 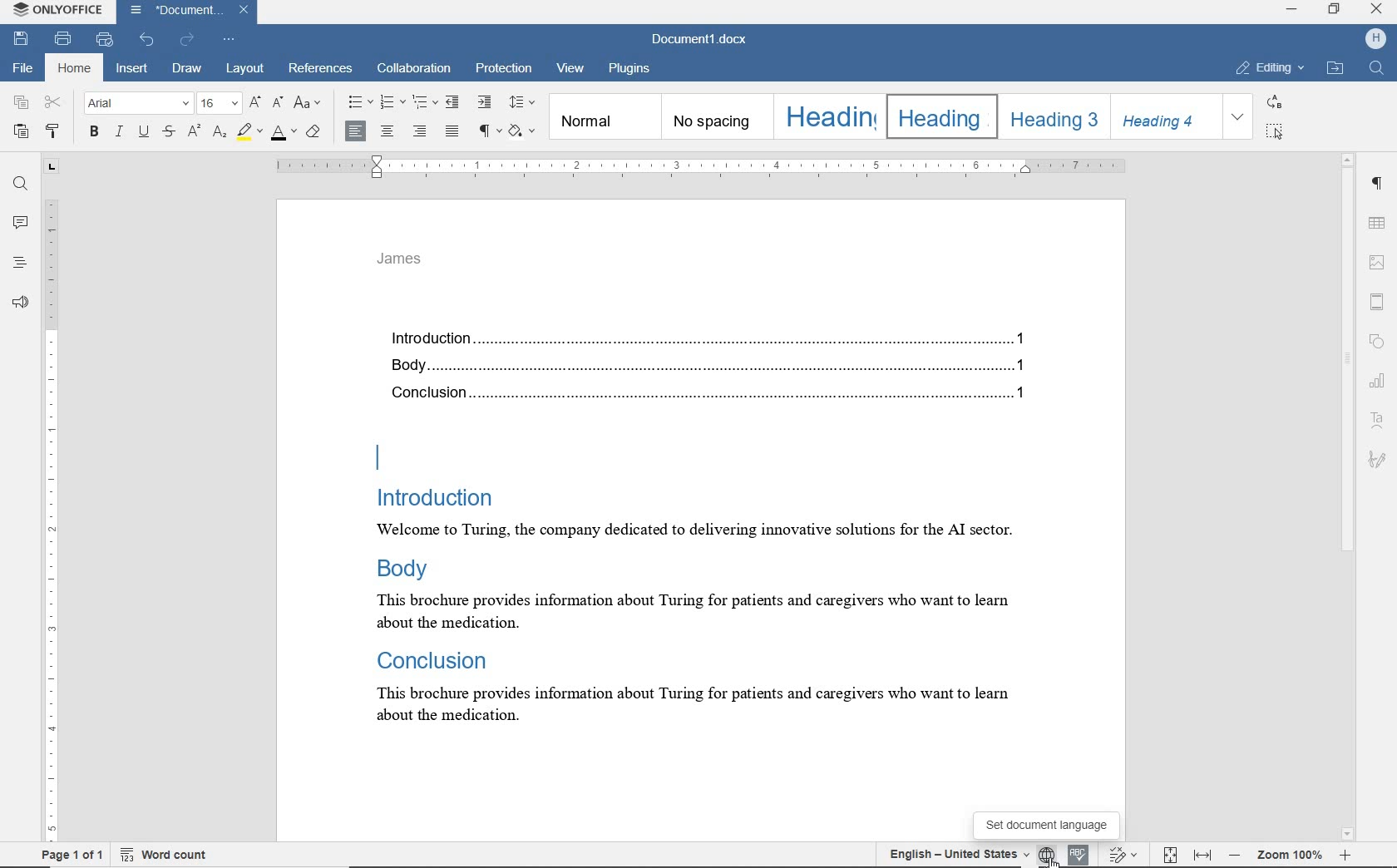 I want to click on this brochure provides information about Turing for patients and caregivers who want to learn about the medication, so click(x=694, y=609).